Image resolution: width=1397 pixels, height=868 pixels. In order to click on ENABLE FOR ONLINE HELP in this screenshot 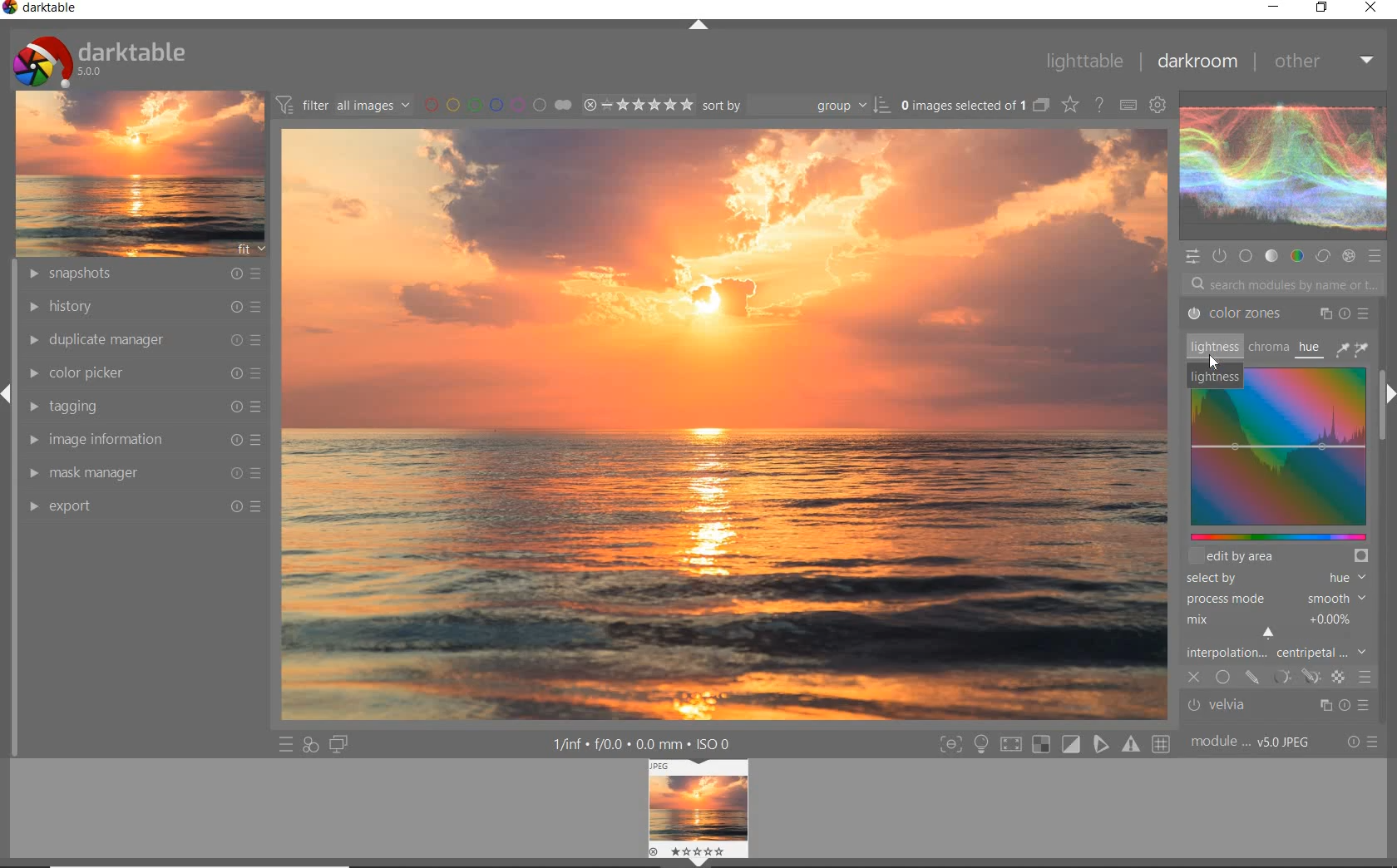, I will do `click(1102, 104)`.